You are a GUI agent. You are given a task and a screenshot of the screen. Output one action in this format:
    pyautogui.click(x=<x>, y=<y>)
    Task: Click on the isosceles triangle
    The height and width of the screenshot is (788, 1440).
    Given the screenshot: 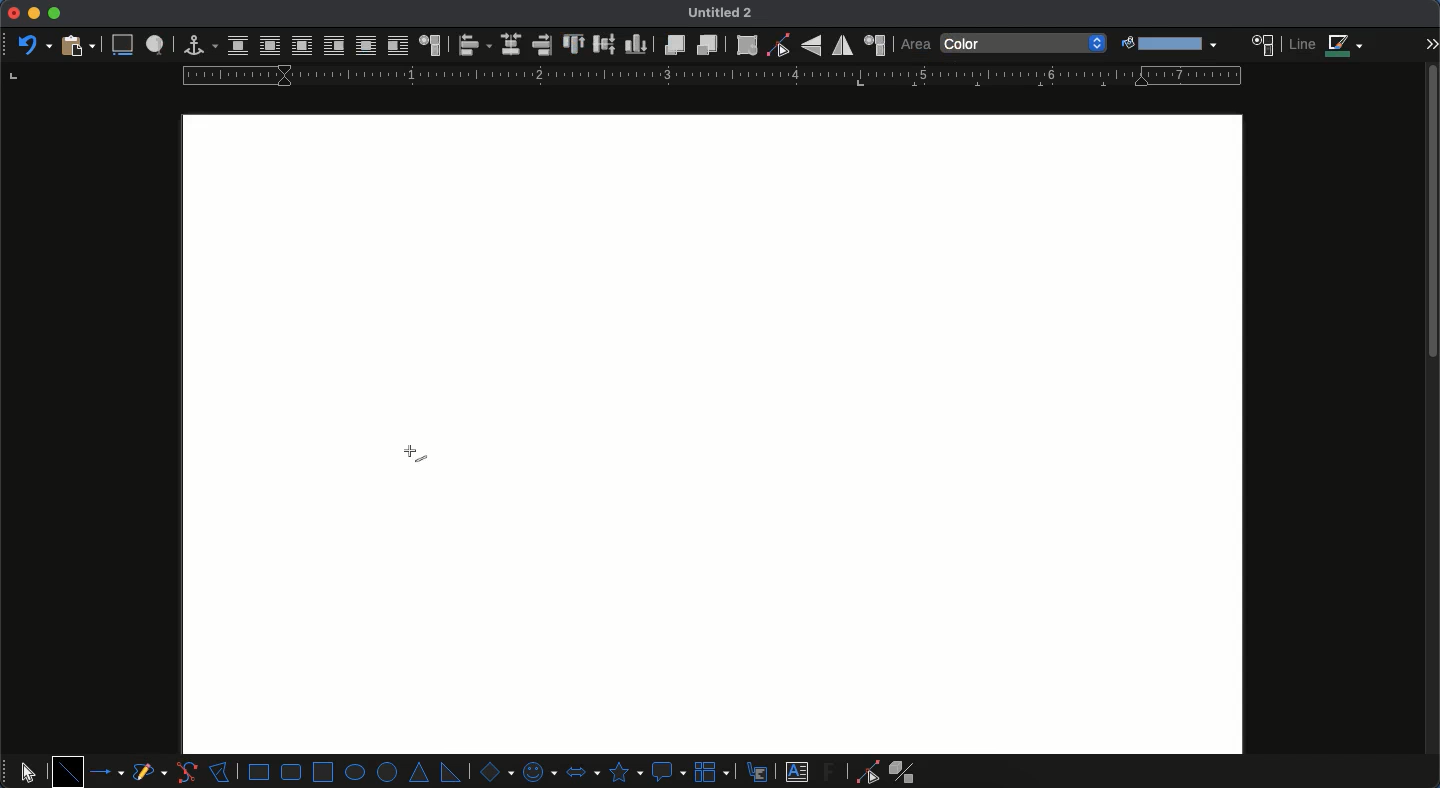 What is the action you would take?
    pyautogui.click(x=421, y=773)
    